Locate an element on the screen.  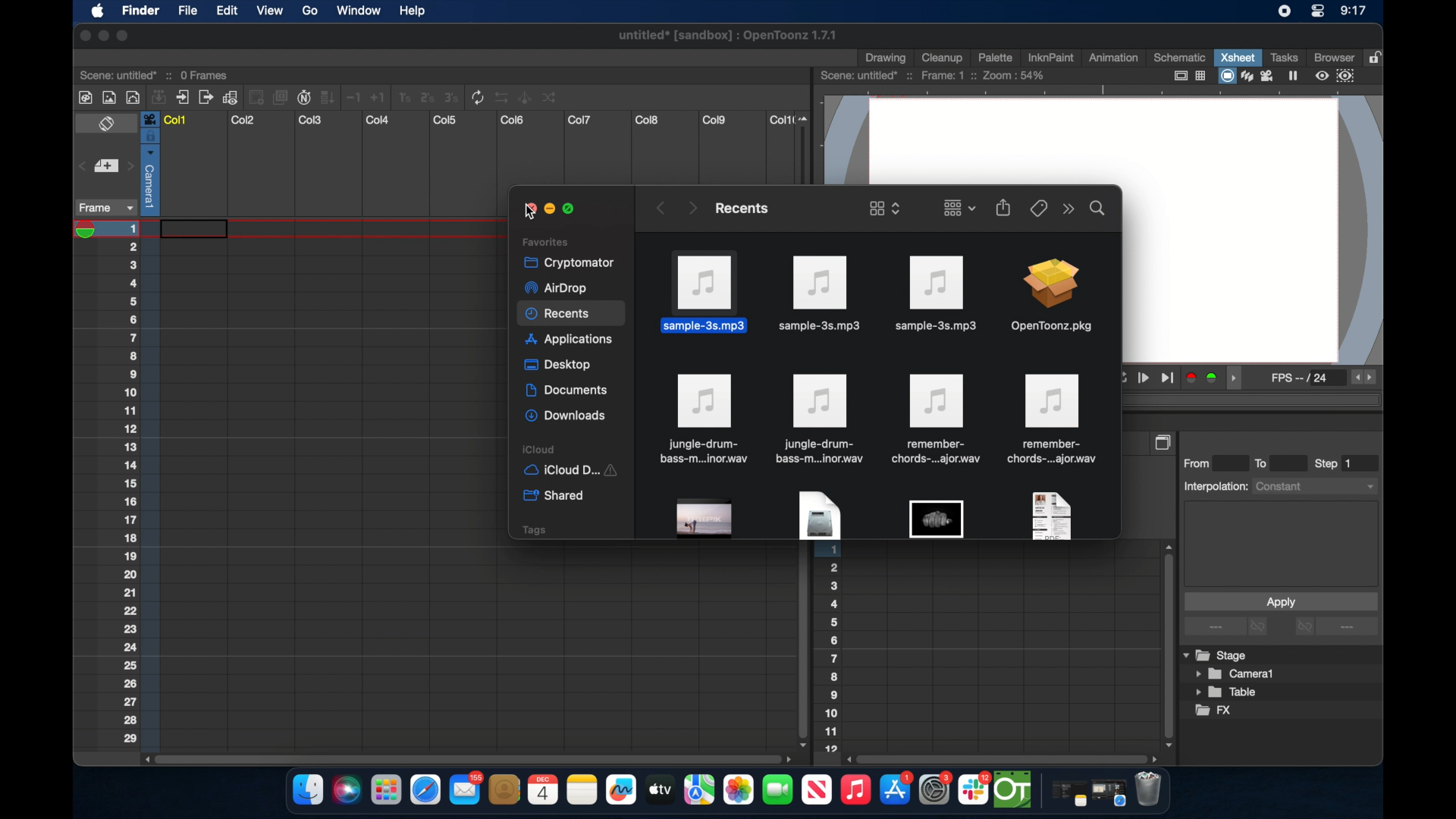
music is located at coordinates (855, 790).